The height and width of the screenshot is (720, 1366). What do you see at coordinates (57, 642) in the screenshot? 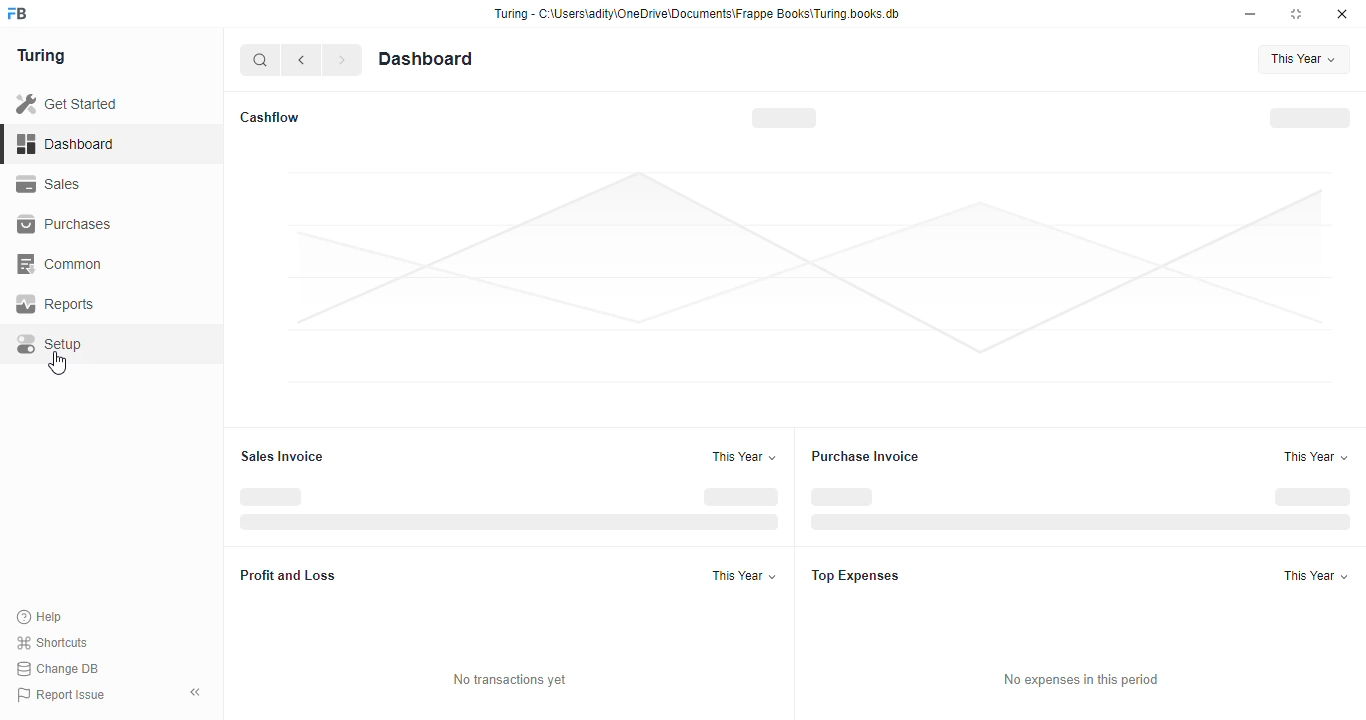
I see `Shortcuts` at bounding box center [57, 642].